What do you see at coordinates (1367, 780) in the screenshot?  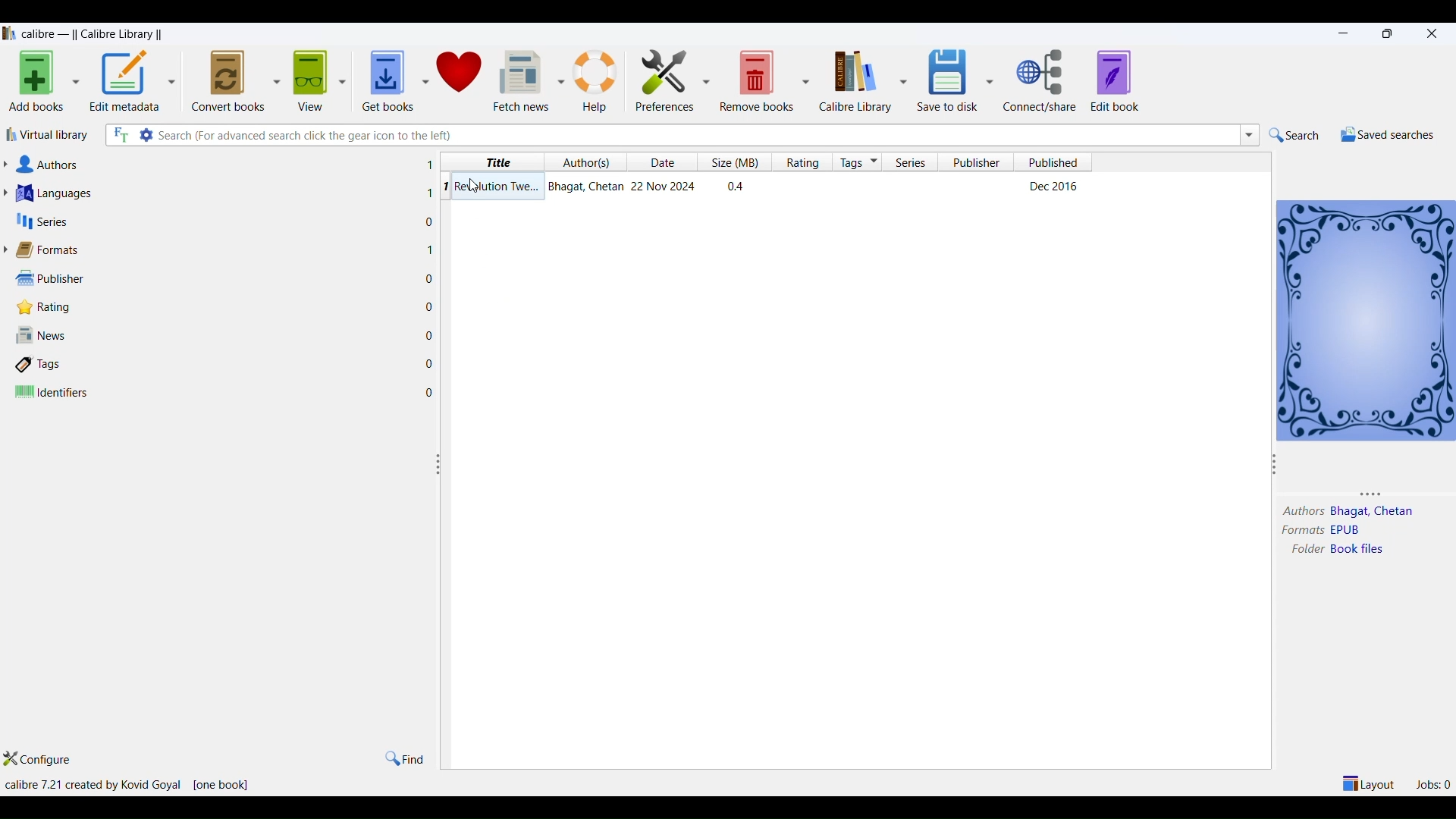 I see `layout` at bounding box center [1367, 780].